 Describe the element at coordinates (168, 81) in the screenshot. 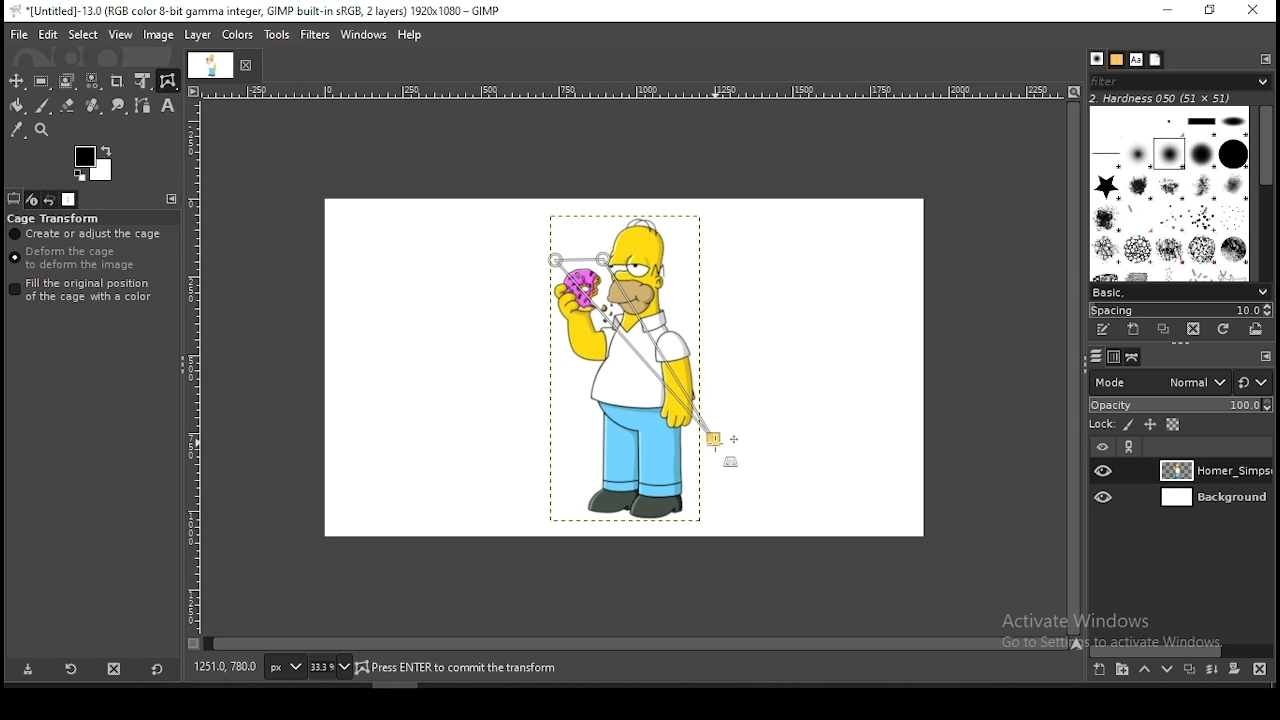

I see `cage transform` at that location.